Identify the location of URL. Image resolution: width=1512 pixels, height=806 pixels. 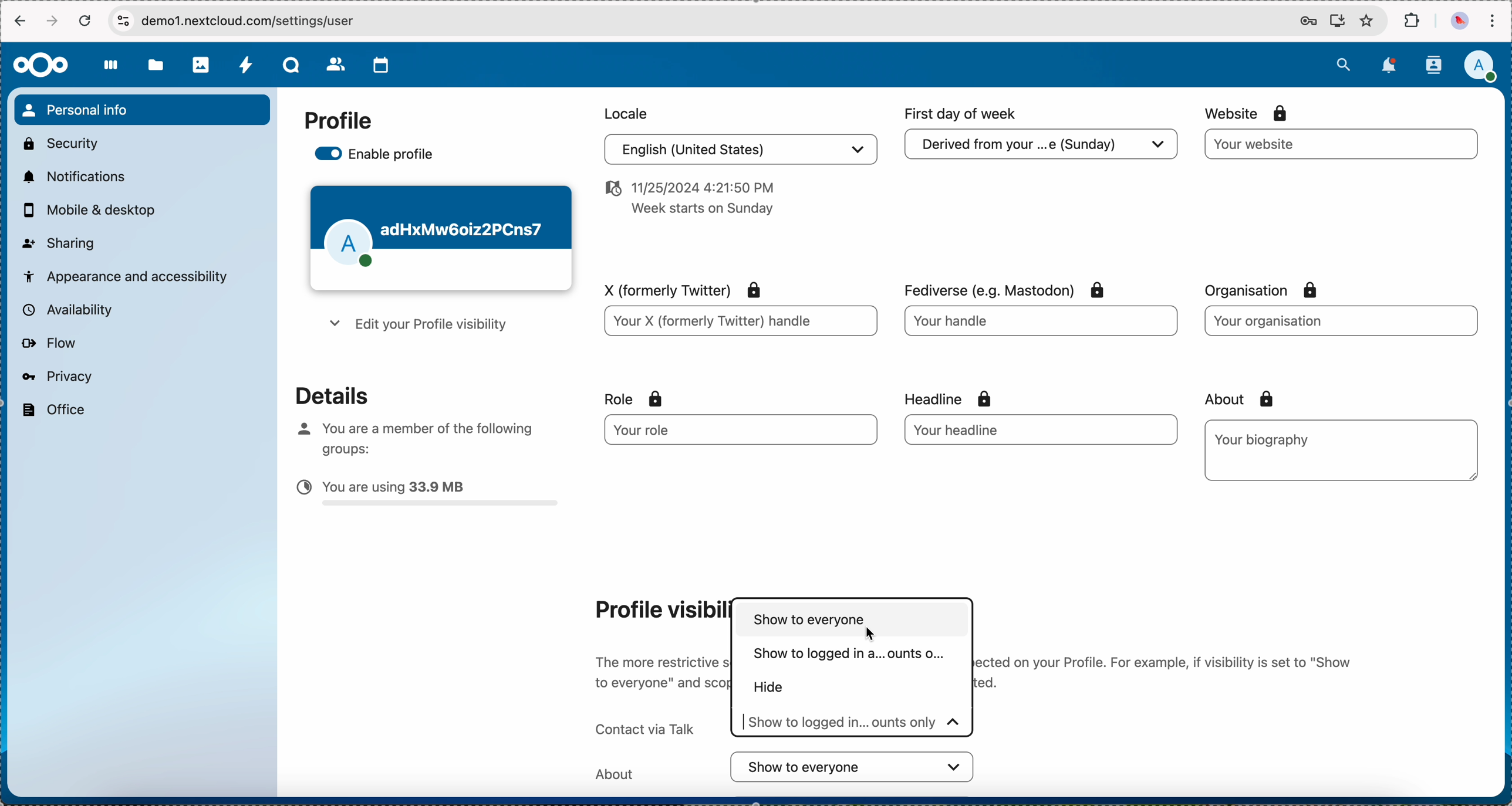
(262, 21).